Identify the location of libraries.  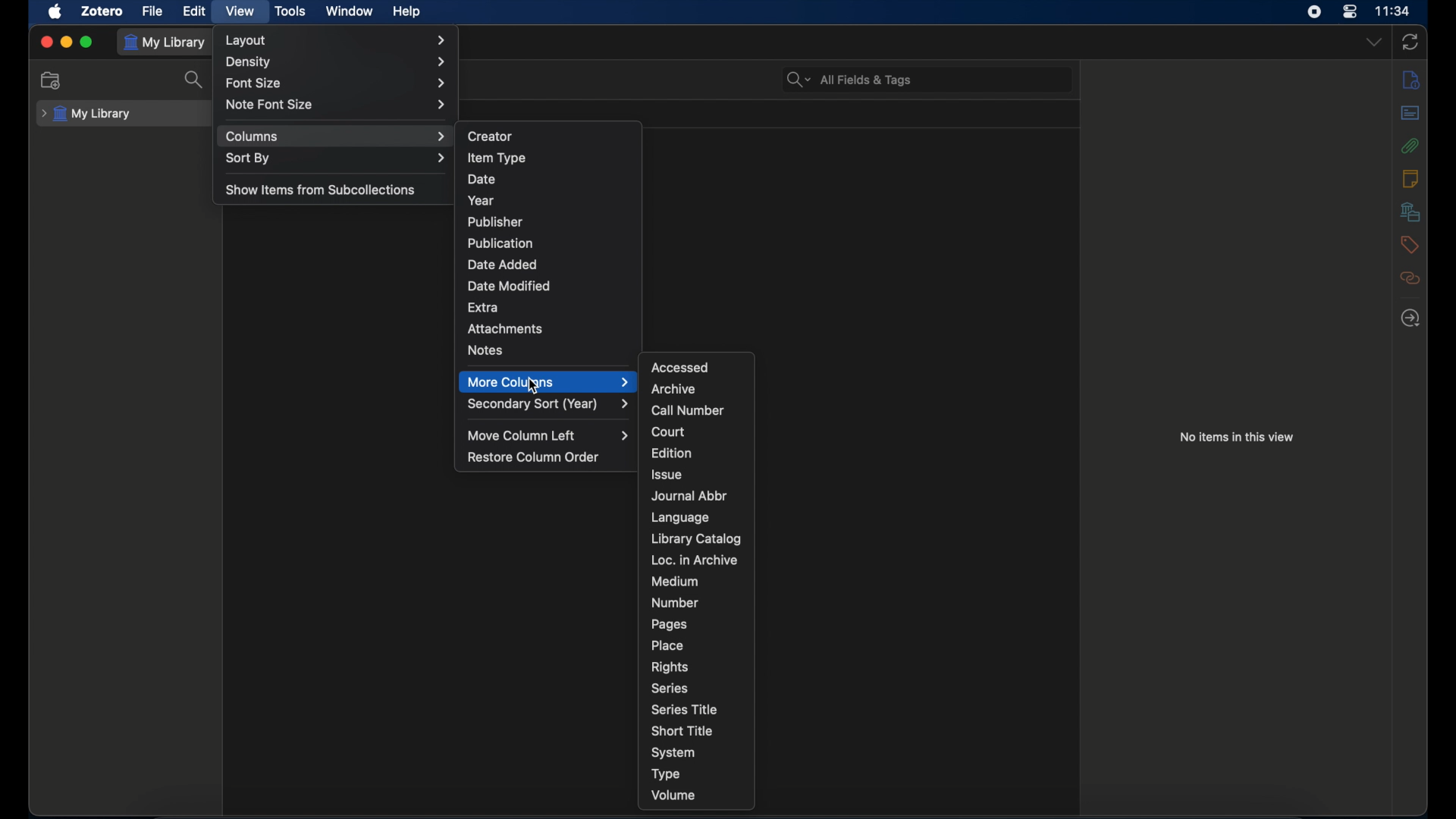
(1410, 212).